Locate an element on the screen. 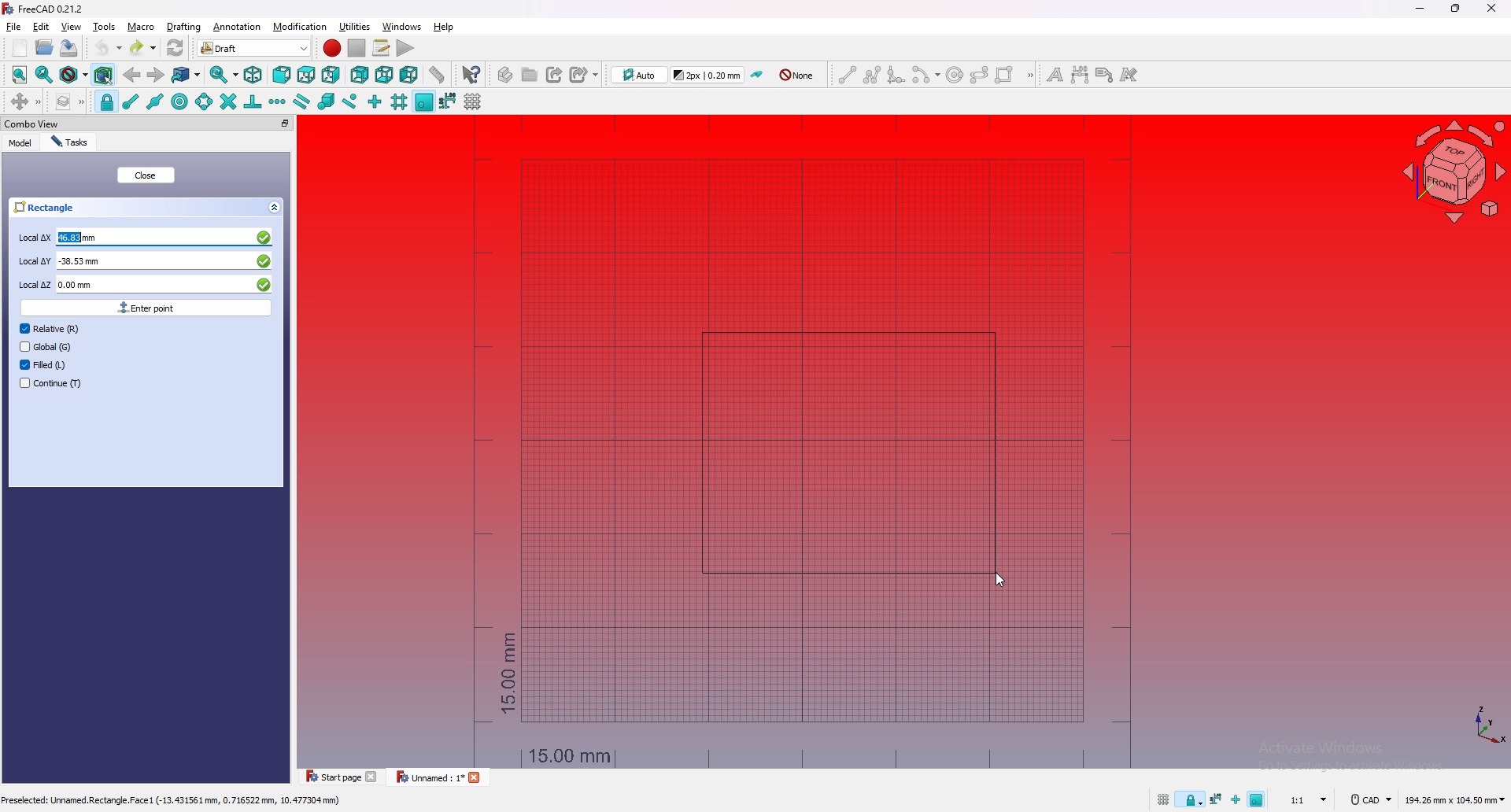 The image size is (1511, 812). macro is located at coordinates (141, 27).